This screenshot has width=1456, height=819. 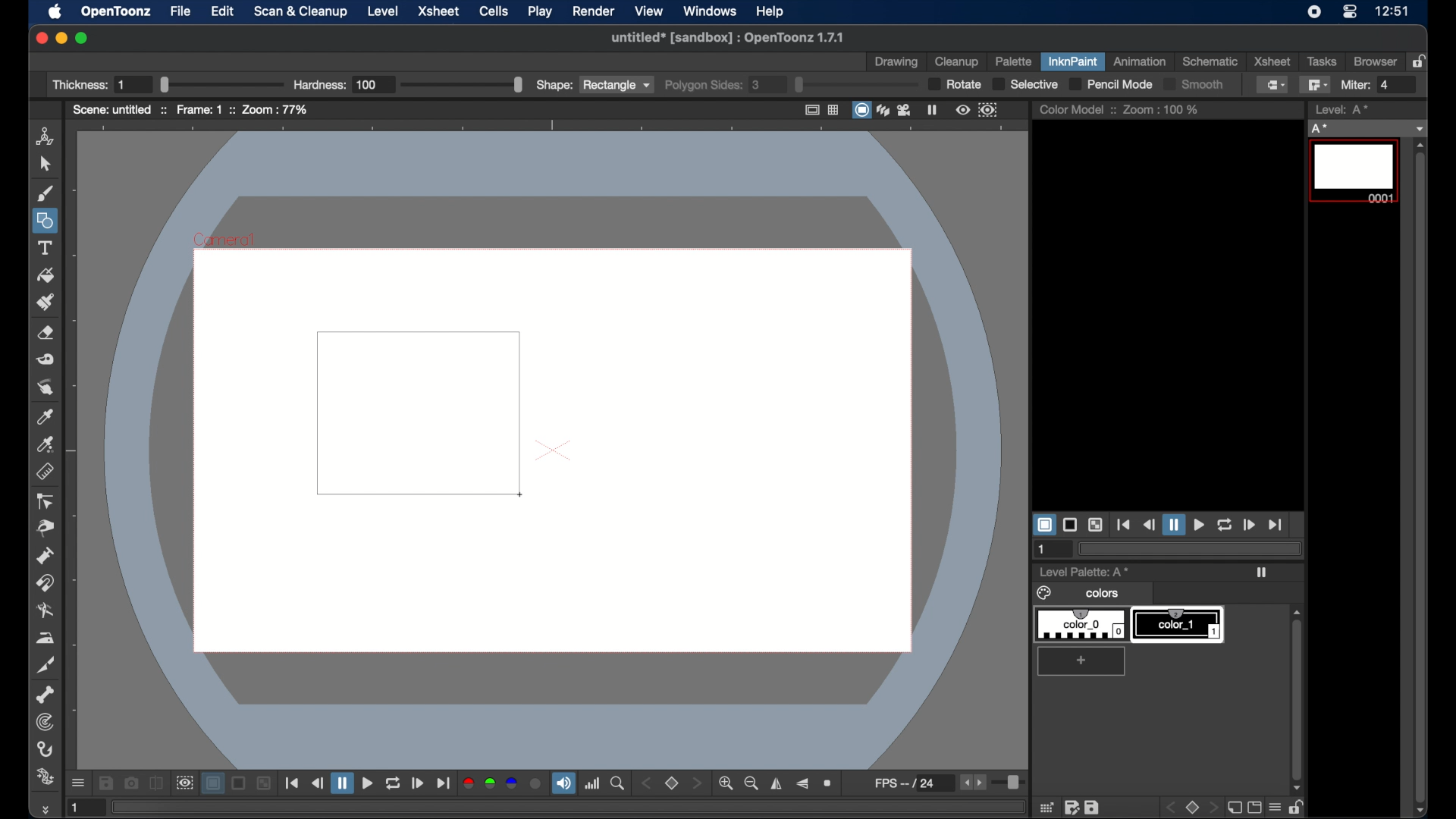 What do you see at coordinates (810, 109) in the screenshot?
I see `safe area` at bounding box center [810, 109].